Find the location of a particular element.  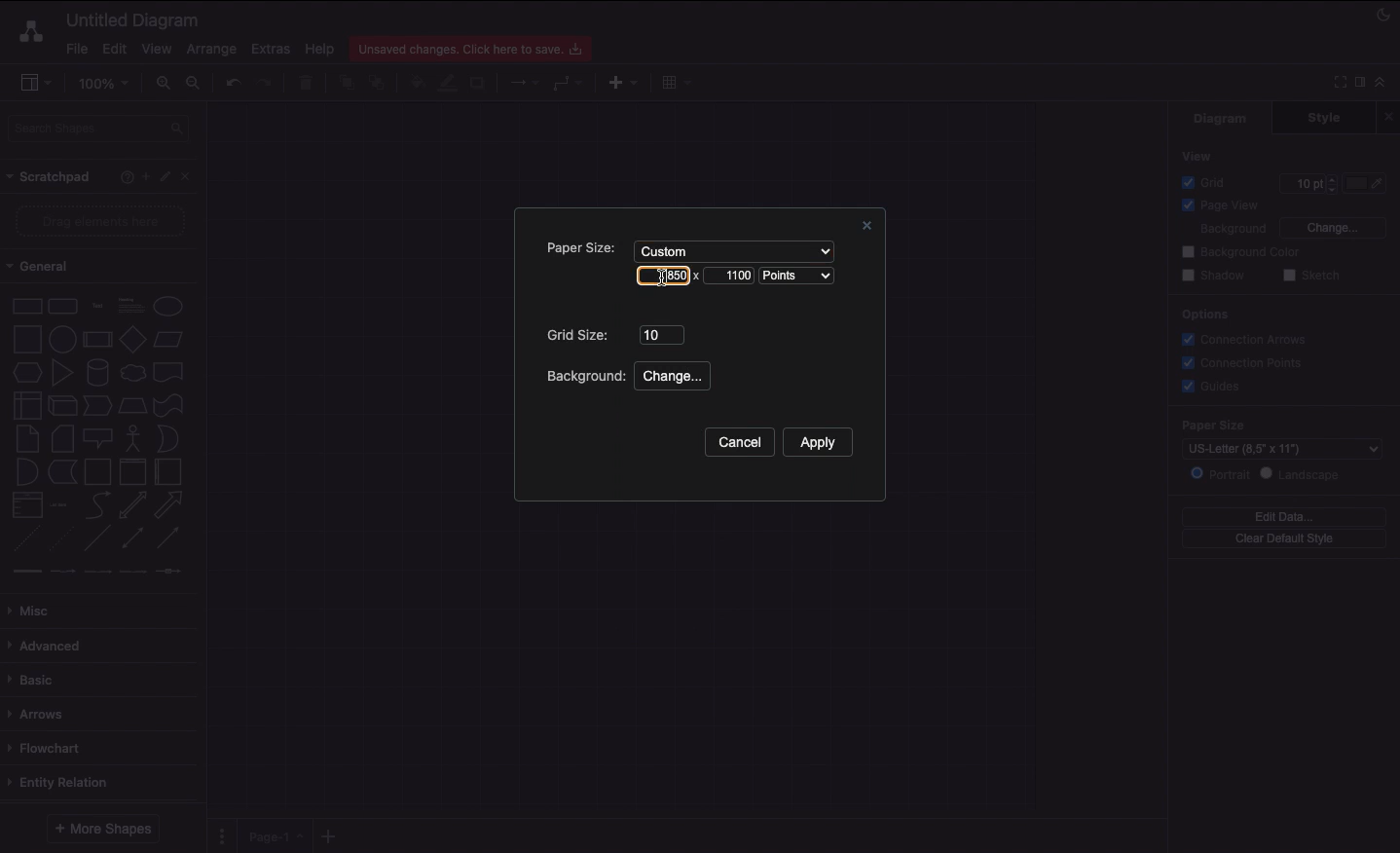

Unsaved changes is located at coordinates (473, 46).